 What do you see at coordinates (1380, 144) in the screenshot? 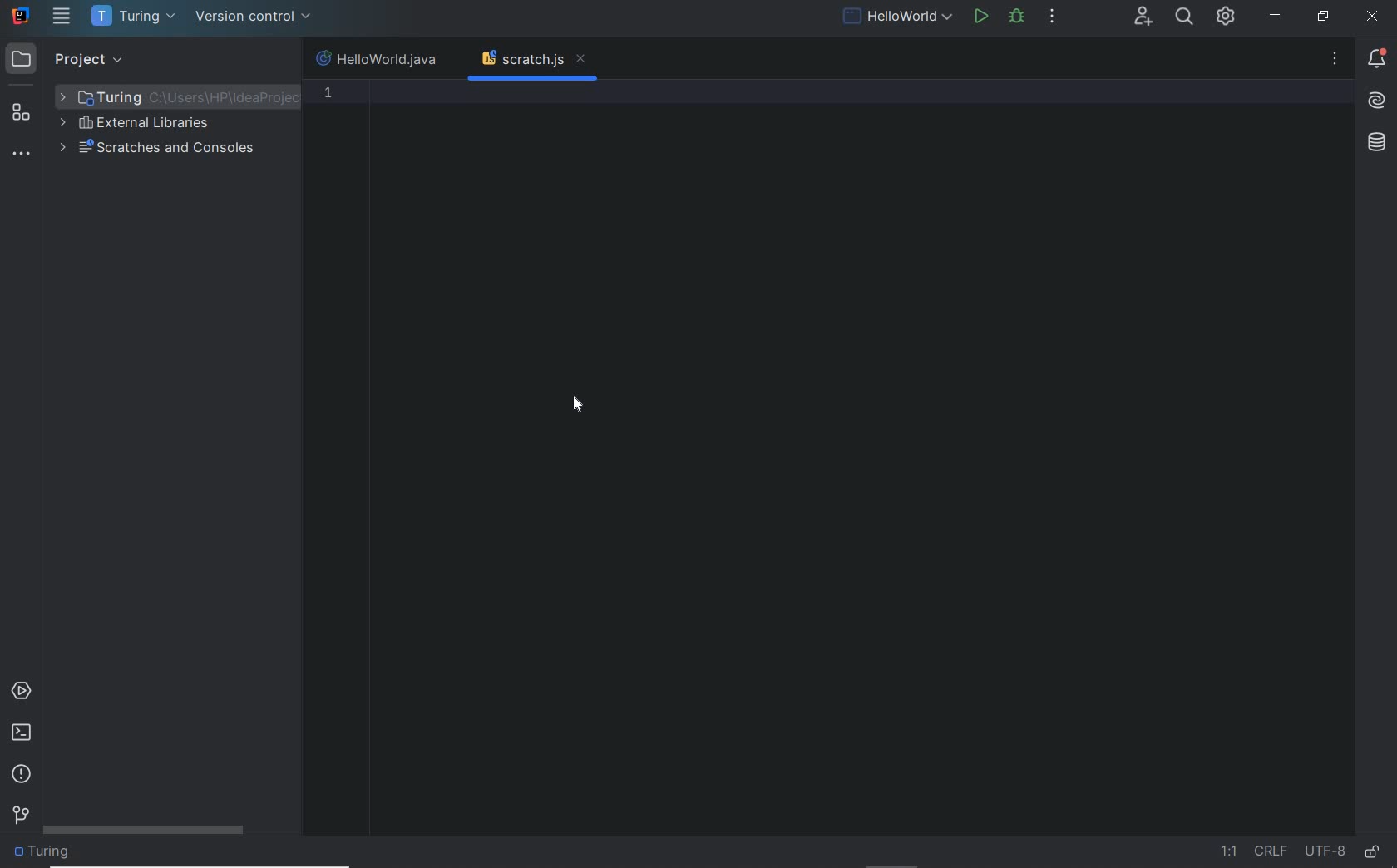
I see `database` at bounding box center [1380, 144].